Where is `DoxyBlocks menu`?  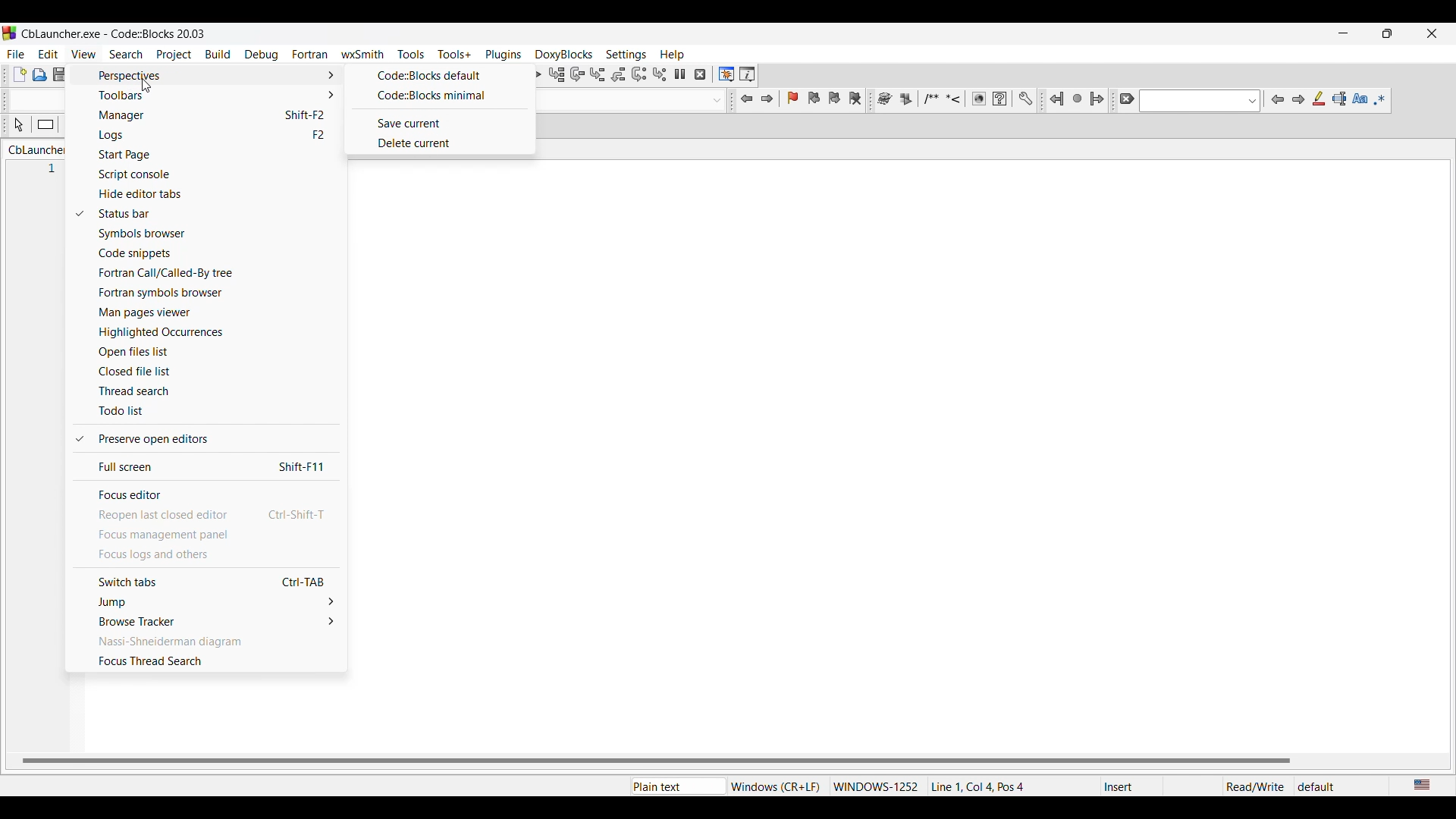 DoxyBlocks menu is located at coordinates (564, 55).